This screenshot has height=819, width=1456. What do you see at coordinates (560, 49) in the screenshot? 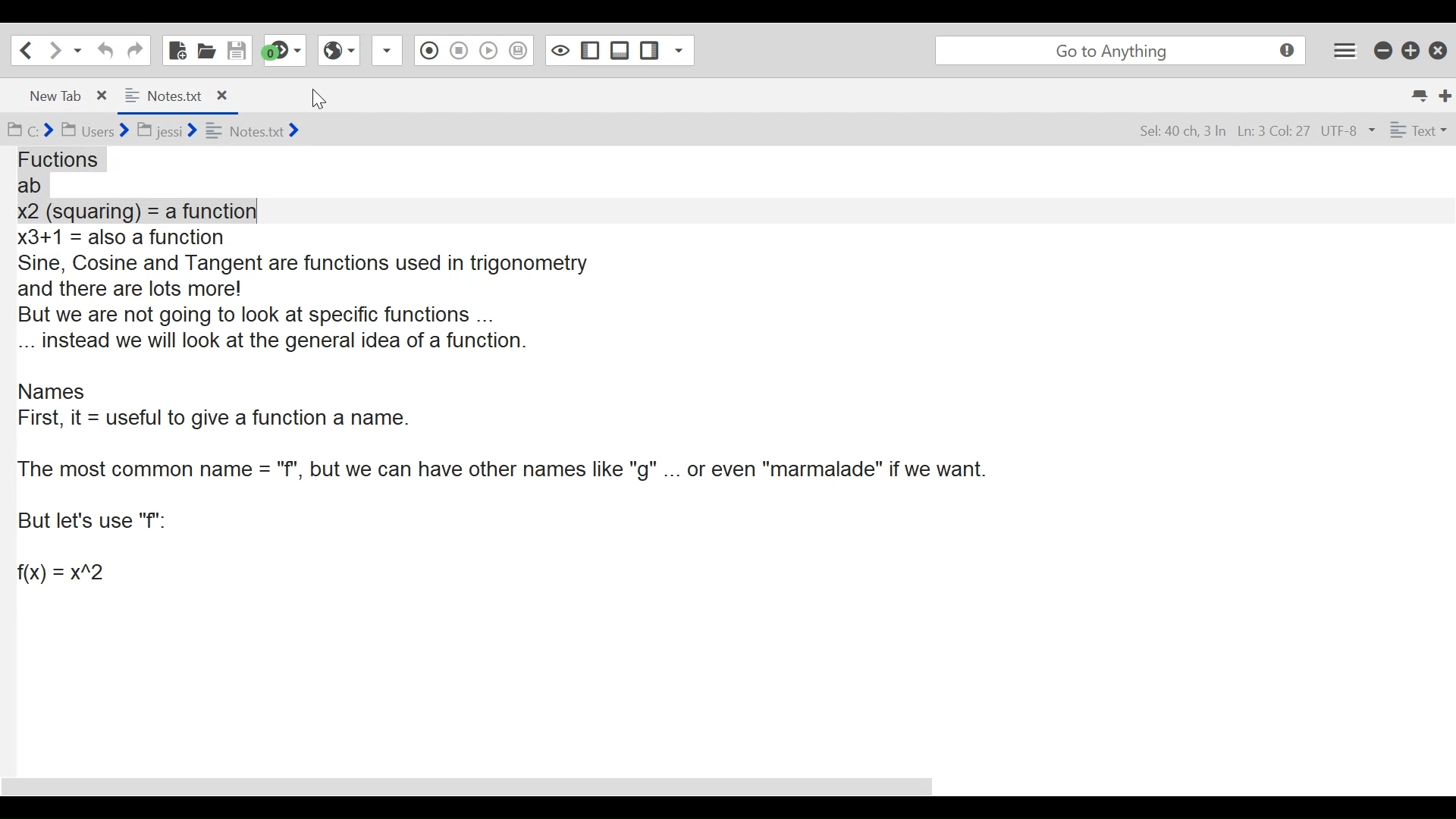
I see `Show/Hide Right Pane` at bounding box center [560, 49].